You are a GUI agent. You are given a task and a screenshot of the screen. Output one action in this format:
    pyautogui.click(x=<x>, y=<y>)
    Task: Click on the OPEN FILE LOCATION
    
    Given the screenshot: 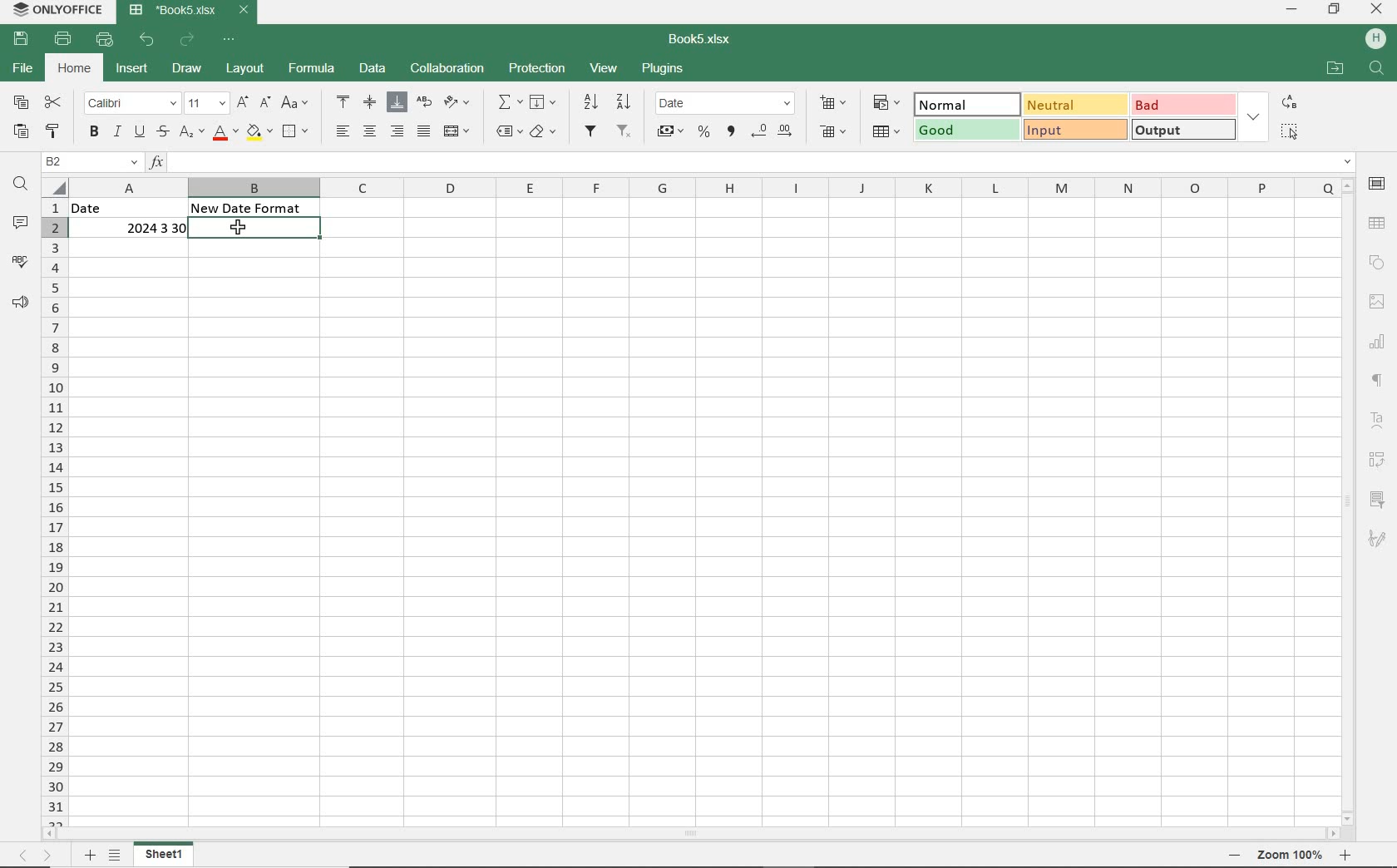 What is the action you would take?
    pyautogui.click(x=1336, y=70)
    